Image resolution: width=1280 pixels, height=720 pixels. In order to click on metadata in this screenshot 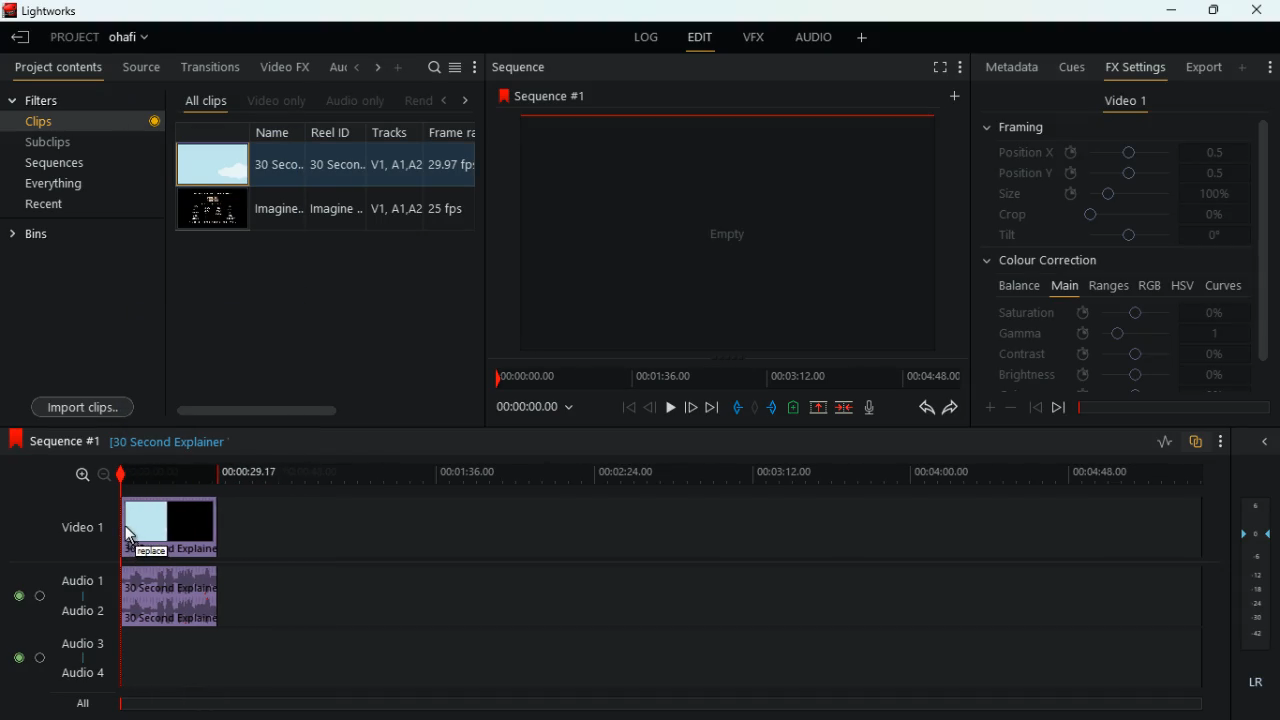, I will do `click(1008, 66)`.